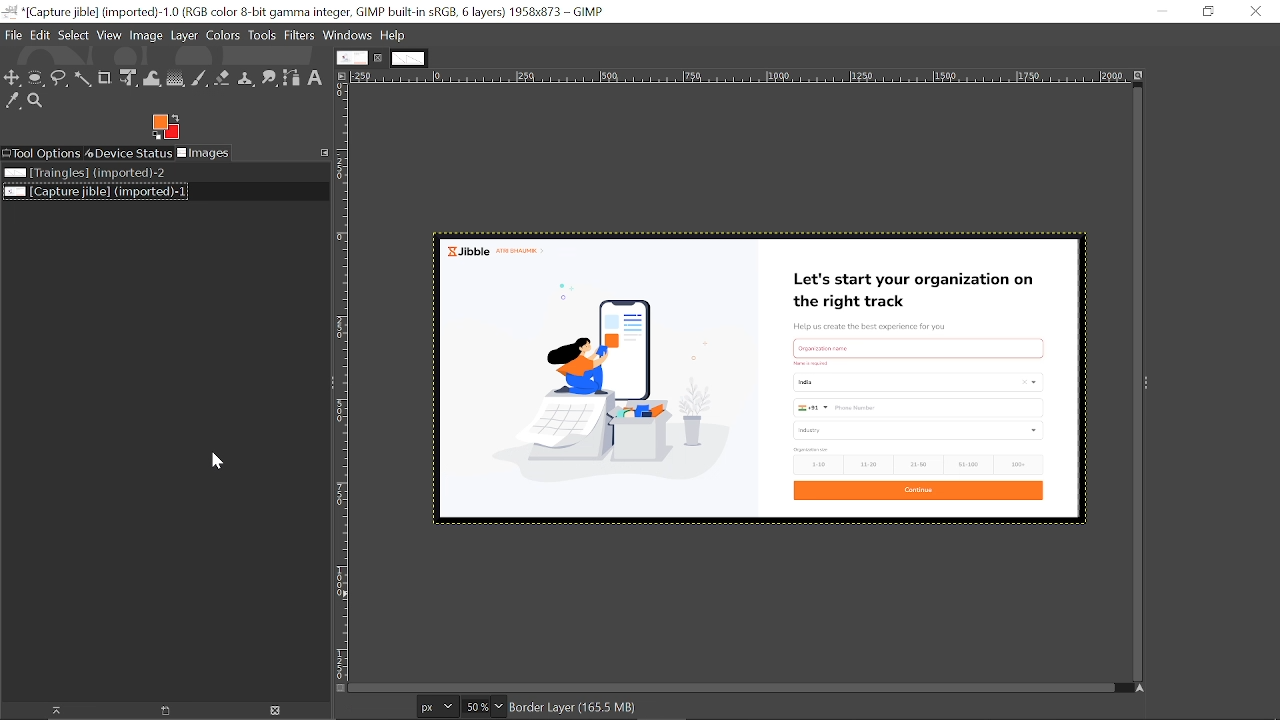  Describe the element at coordinates (13, 78) in the screenshot. I see `Move tool` at that location.